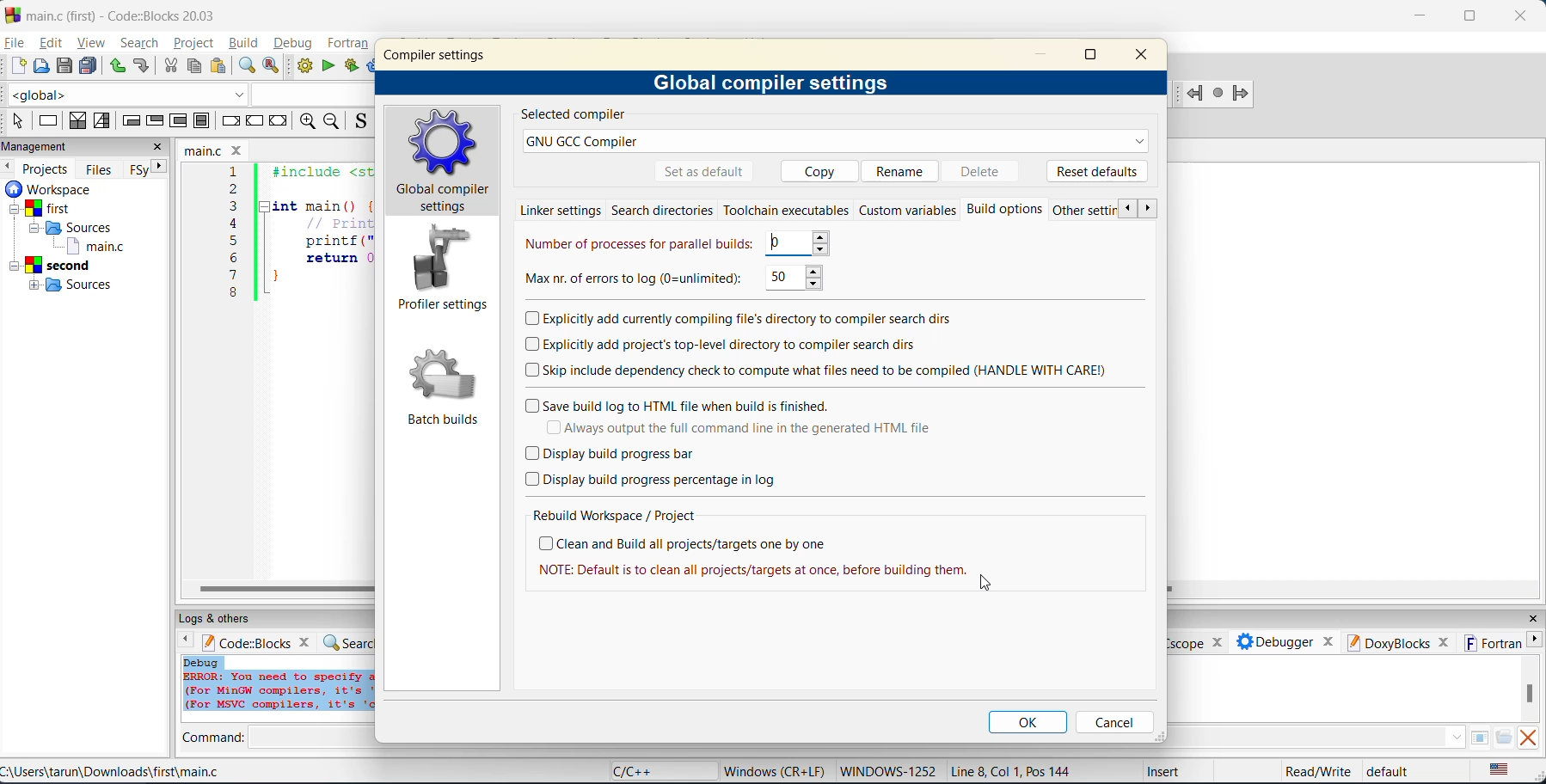  What do you see at coordinates (641, 770) in the screenshot?
I see `C/C++` at bounding box center [641, 770].